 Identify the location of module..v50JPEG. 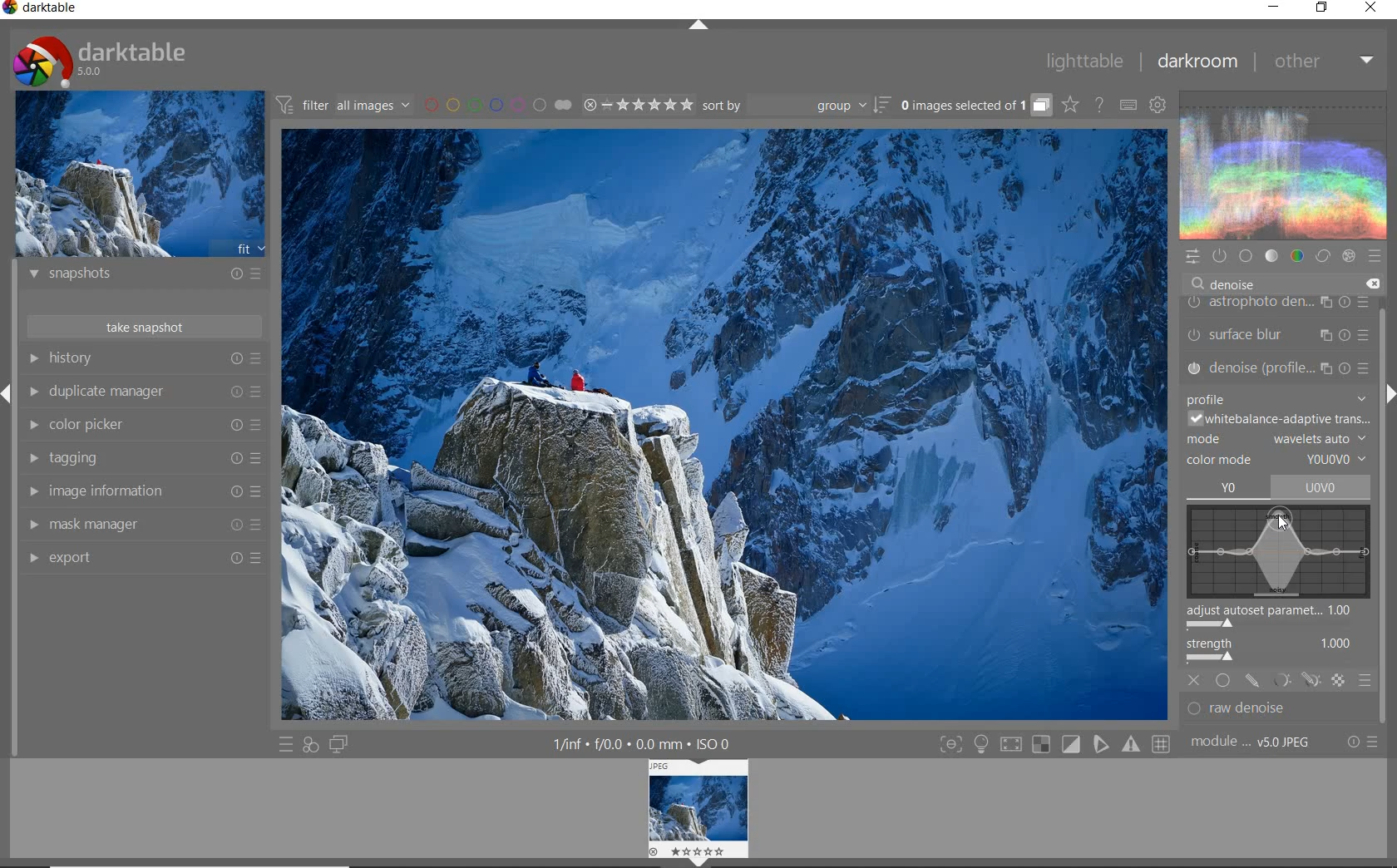
(1255, 742).